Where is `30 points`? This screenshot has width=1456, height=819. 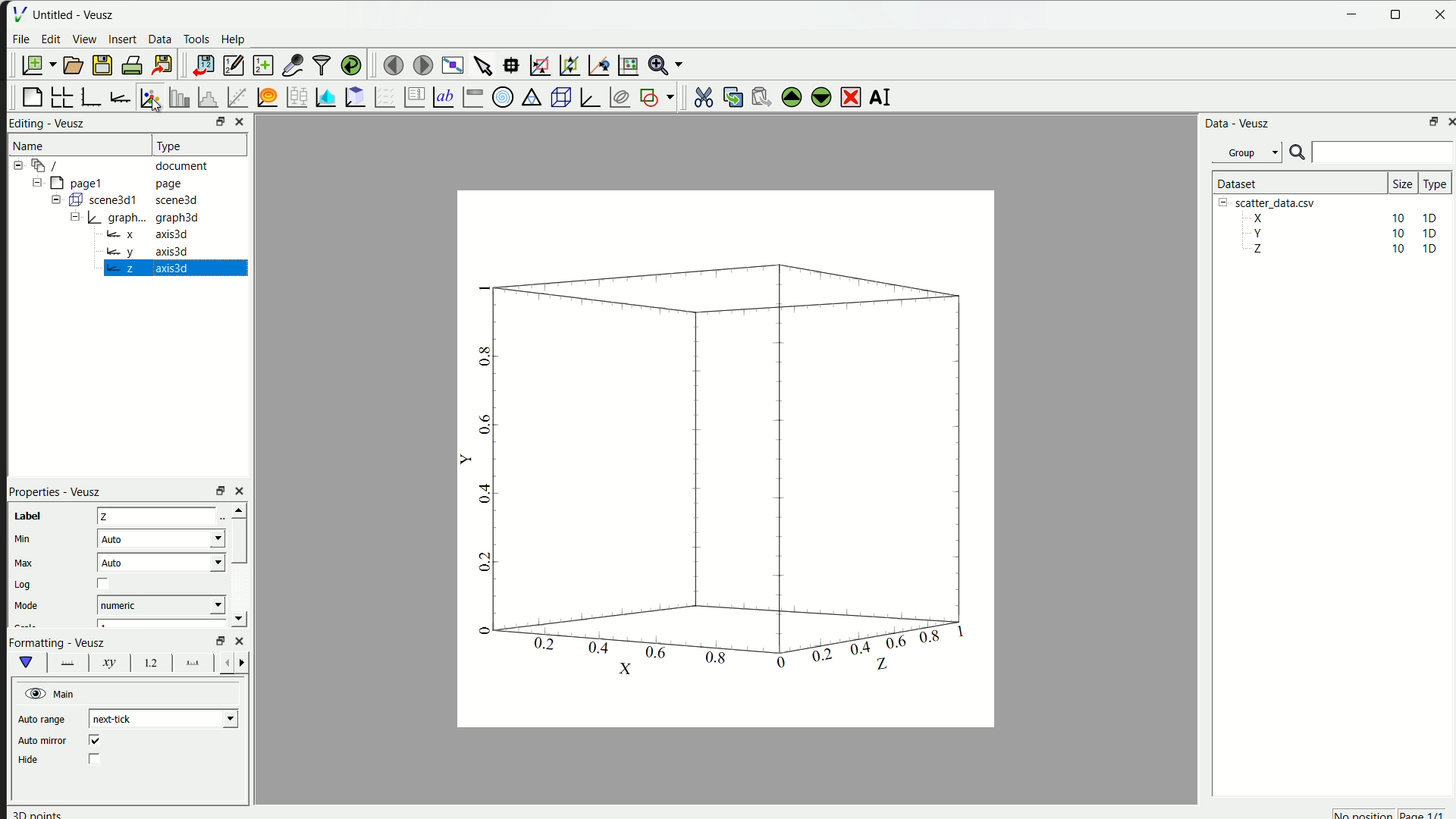
30 points is located at coordinates (38, 811).